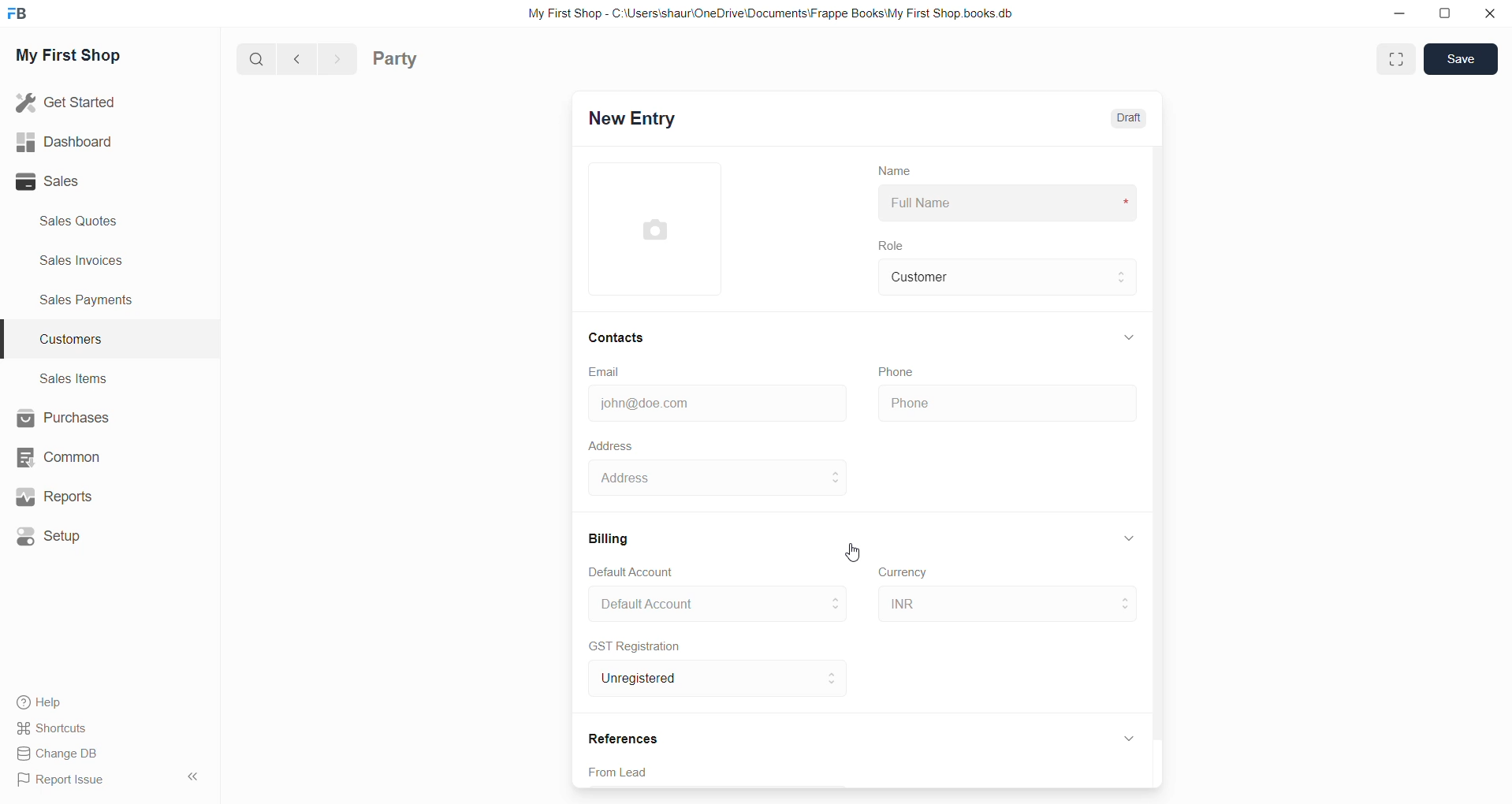 The height and width of the screenshot is (804, 1512). I want to click on sales items, so click(73, 378).